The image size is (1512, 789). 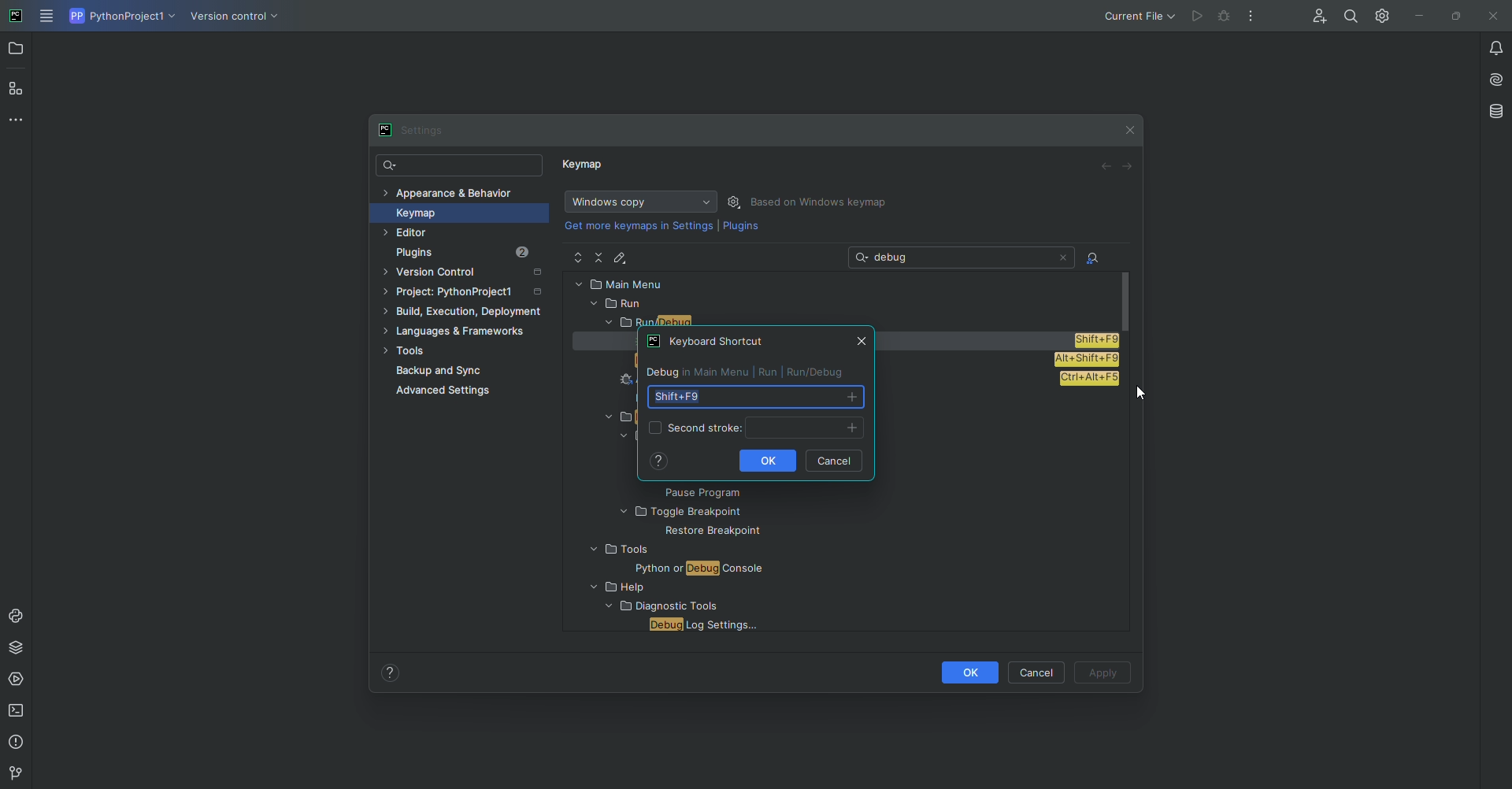 I want to click on Cancel, so click(x=1039, y=672).